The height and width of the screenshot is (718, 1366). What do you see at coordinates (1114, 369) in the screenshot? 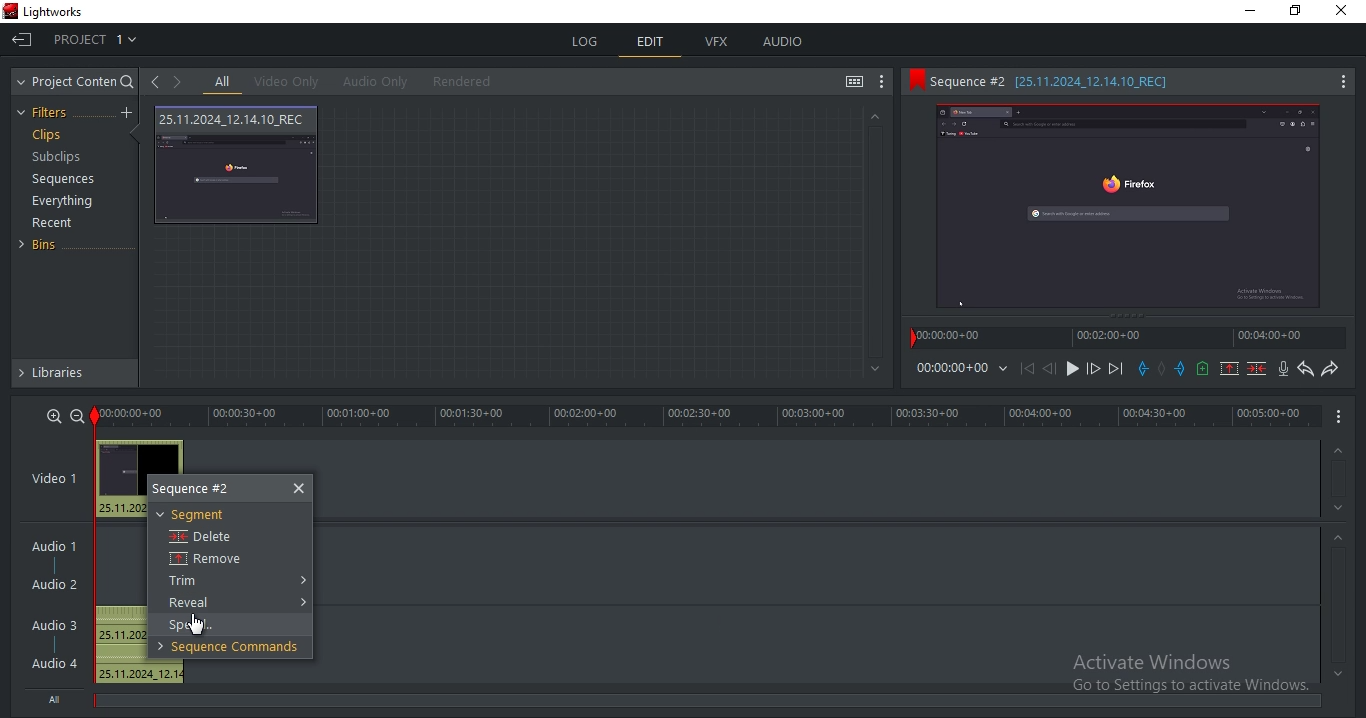
I see `move forward to the next cut` at bounding box center [1114, 369].